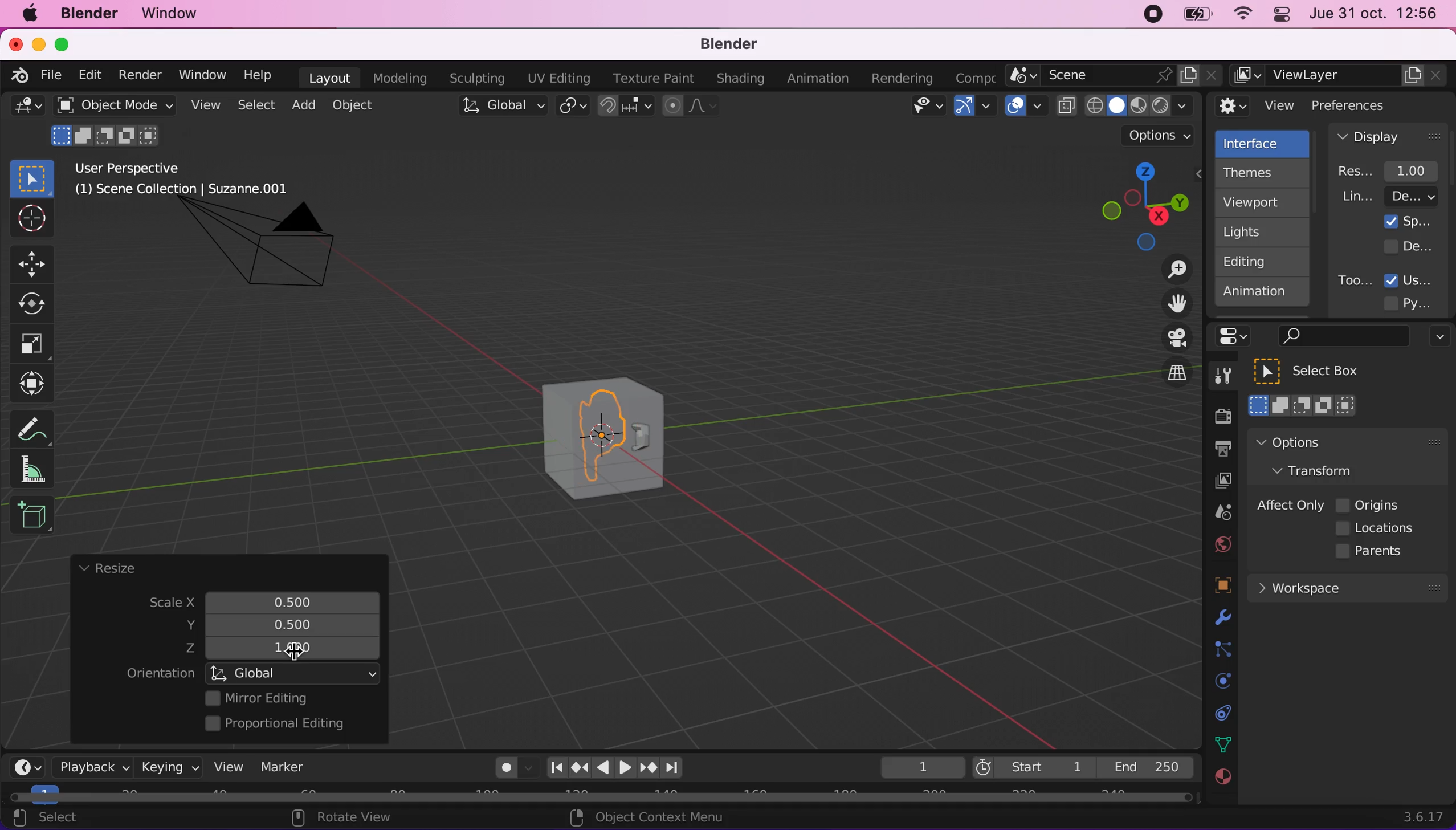 The width and height of the screenshot is (1456, 830). What do you see at coordinates (87, 75) in the screenshot?
I see `edit` at bounding box center [87, 75].